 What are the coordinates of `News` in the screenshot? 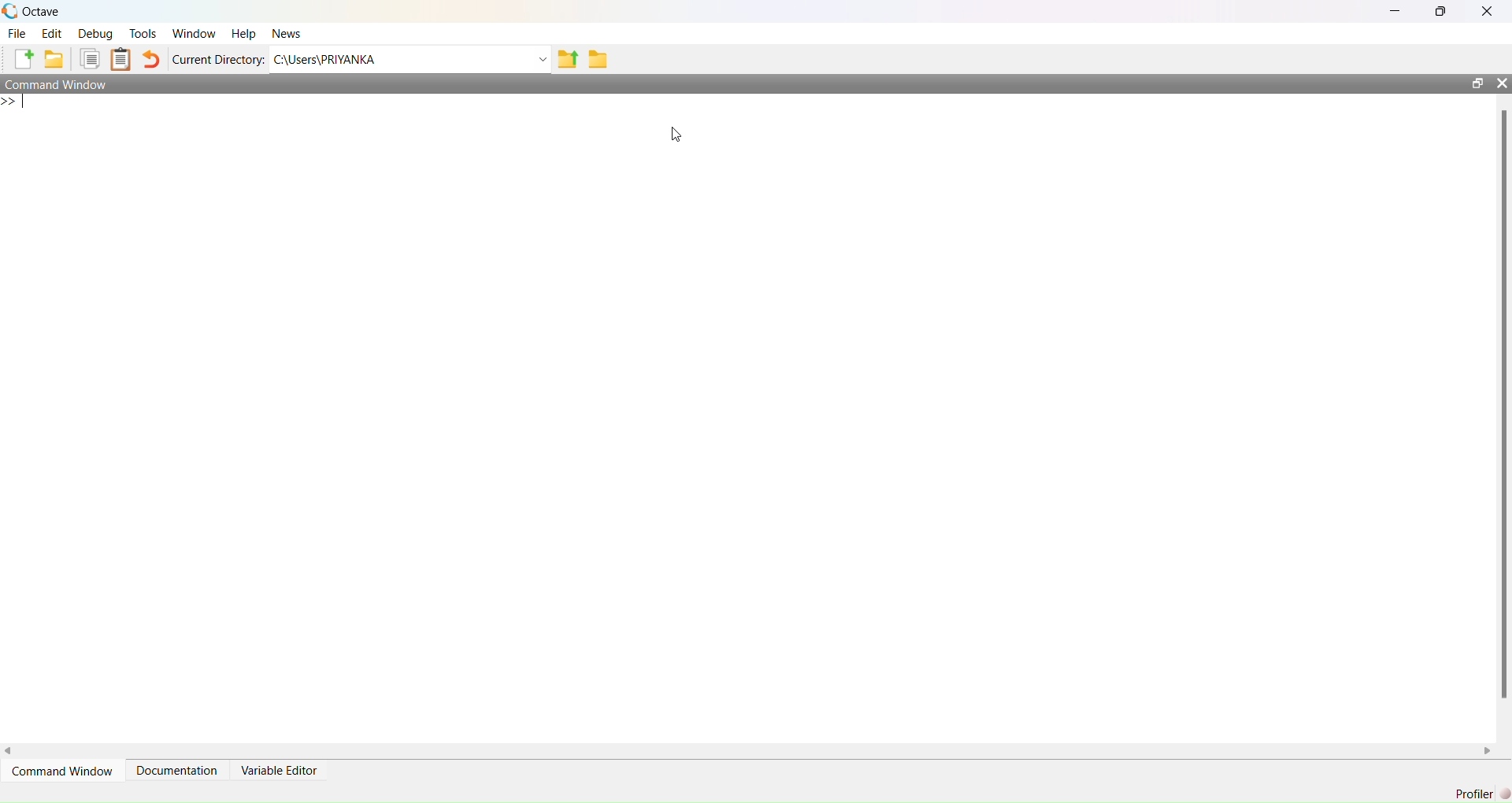 It's located at (288, 34).